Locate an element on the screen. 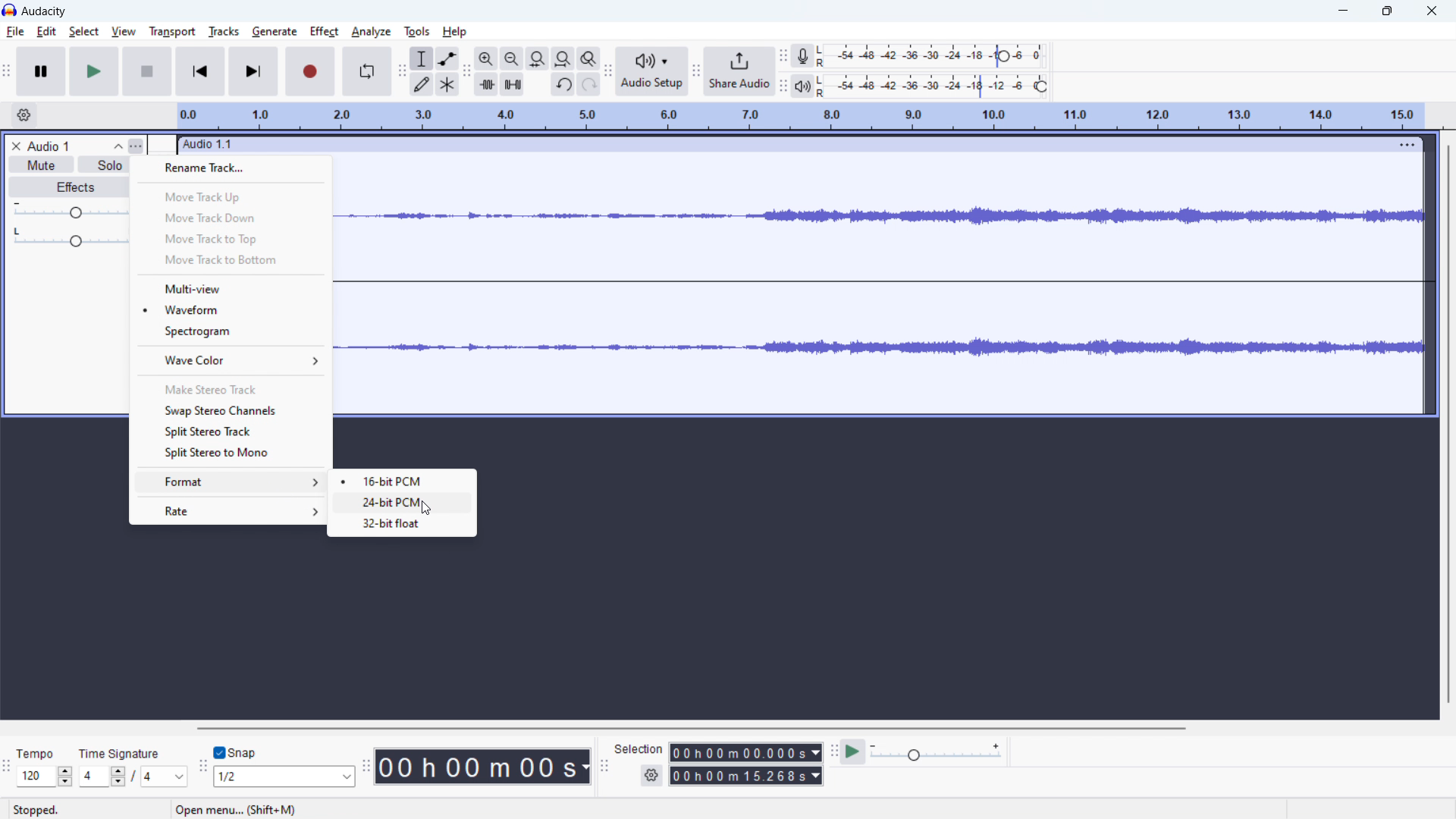  skip to last is located at coordinates (254, 71).